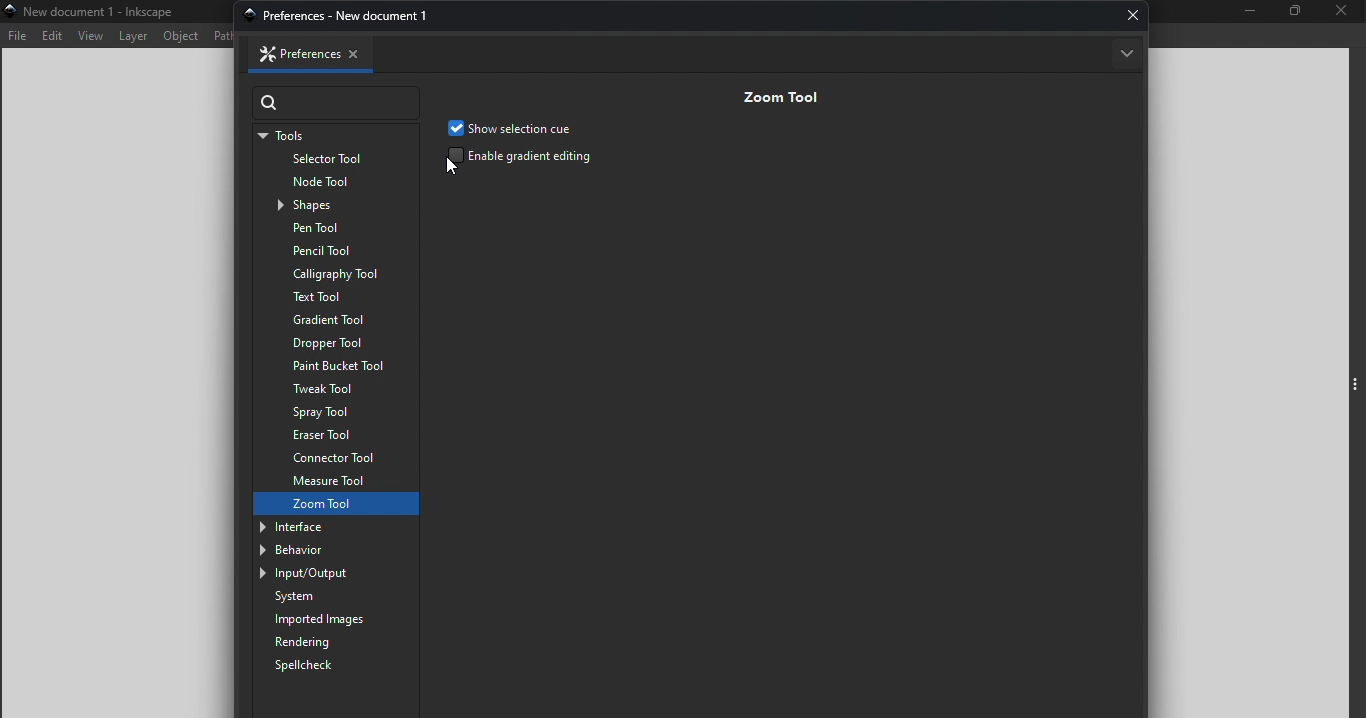  I want to click on Maximize, so click(1293, 14).